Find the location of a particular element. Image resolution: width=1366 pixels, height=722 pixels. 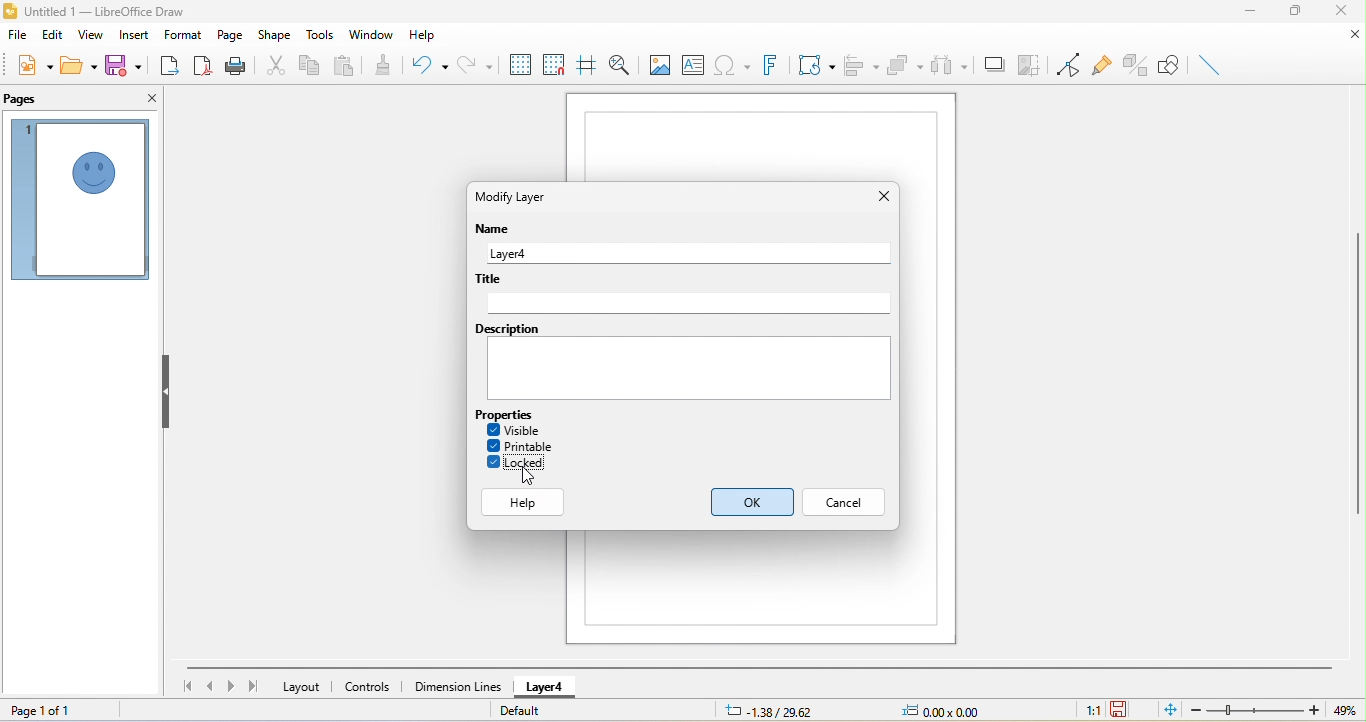

close is located at coordinates (1340, 11).